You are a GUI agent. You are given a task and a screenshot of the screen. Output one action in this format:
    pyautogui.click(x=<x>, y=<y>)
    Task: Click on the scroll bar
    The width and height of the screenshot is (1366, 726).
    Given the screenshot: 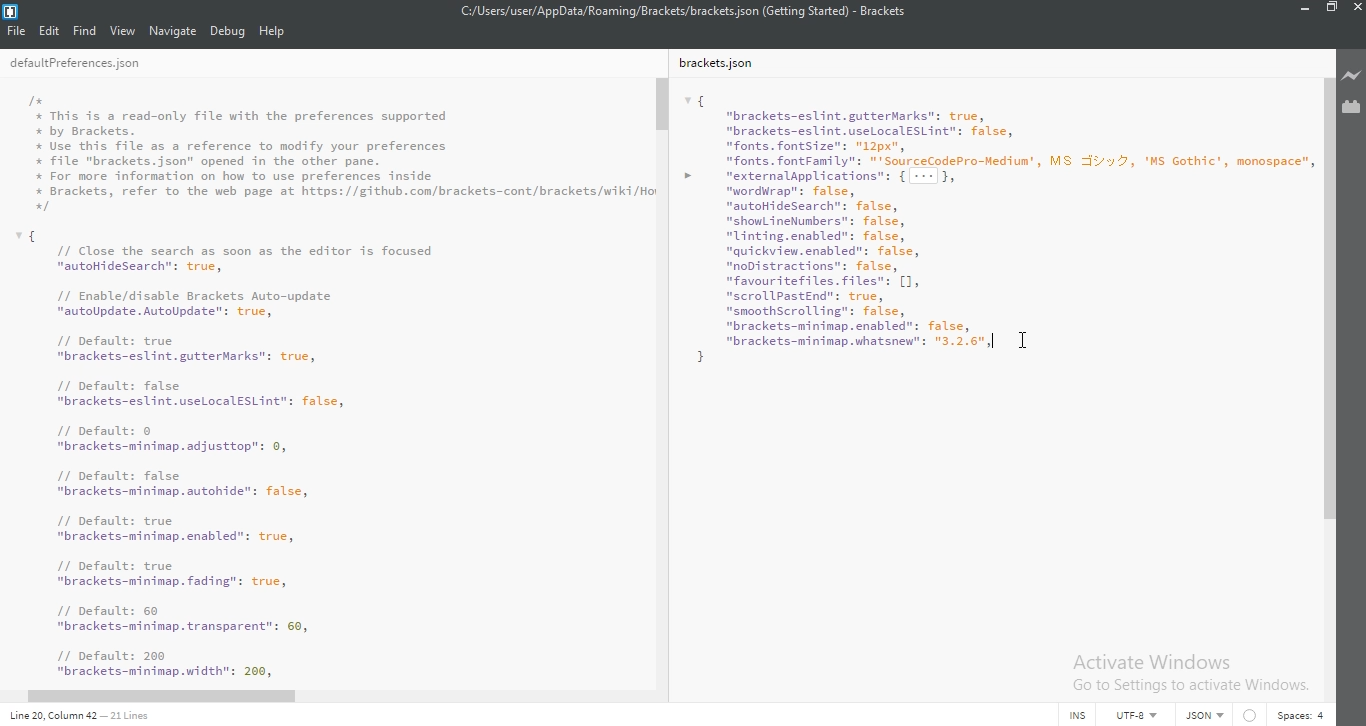 What is the action you would take?
    pyautogui.click(x=174, y=697)
    